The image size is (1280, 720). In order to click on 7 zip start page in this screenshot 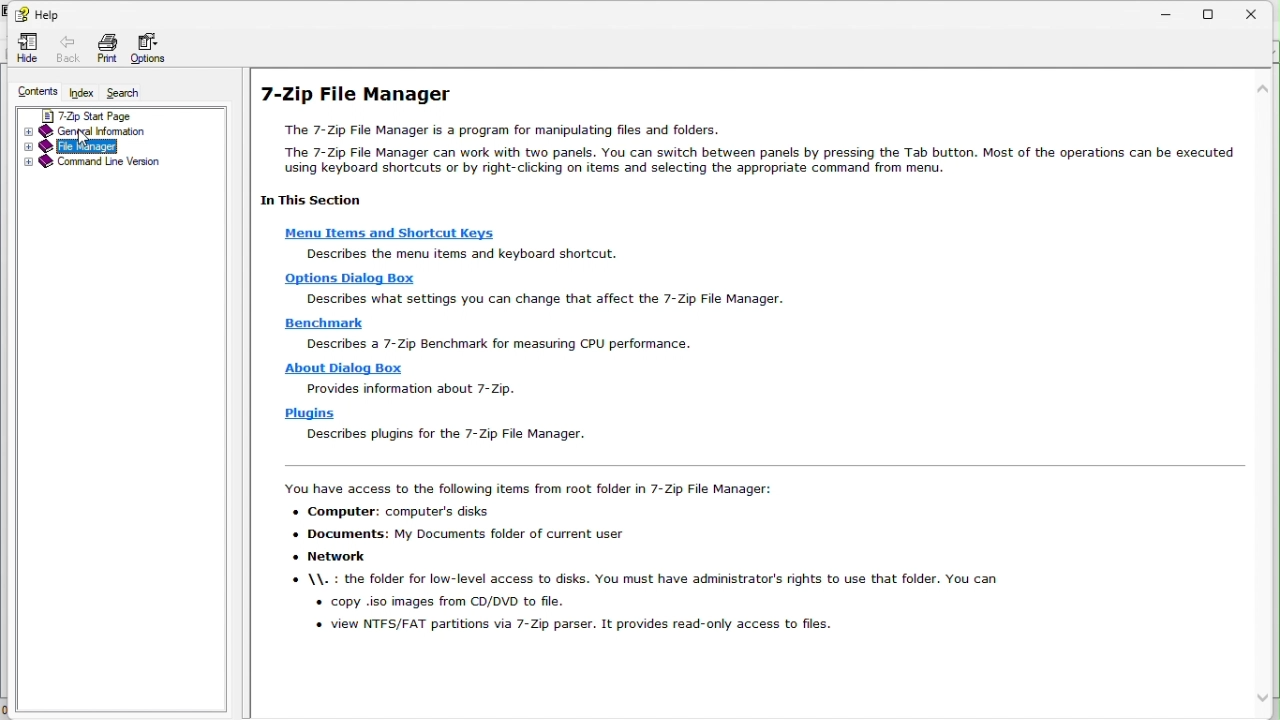, I will do `click(113, 116)`.